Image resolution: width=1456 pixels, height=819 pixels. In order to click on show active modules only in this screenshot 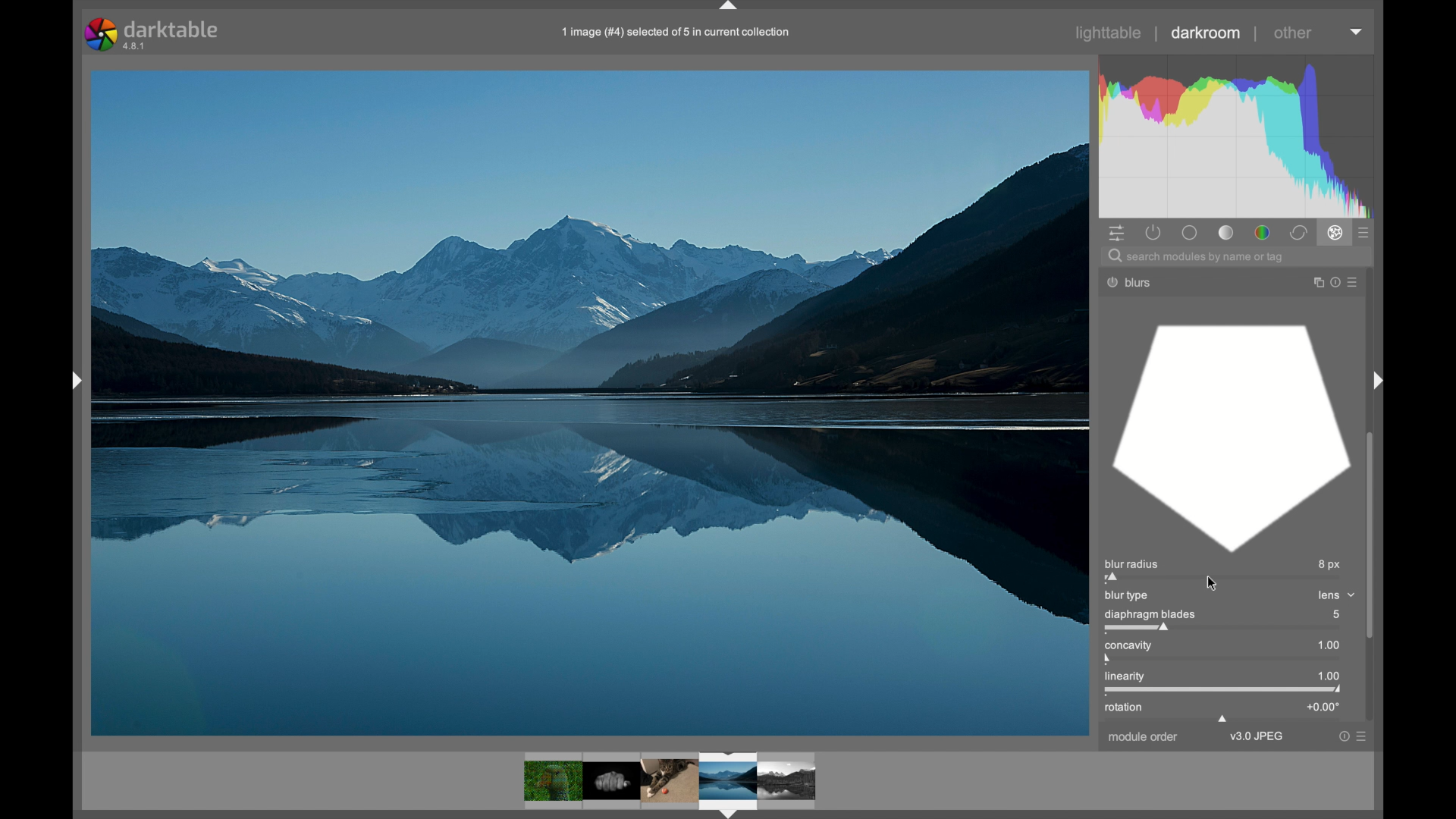, I will do `click(1153, 232)`.